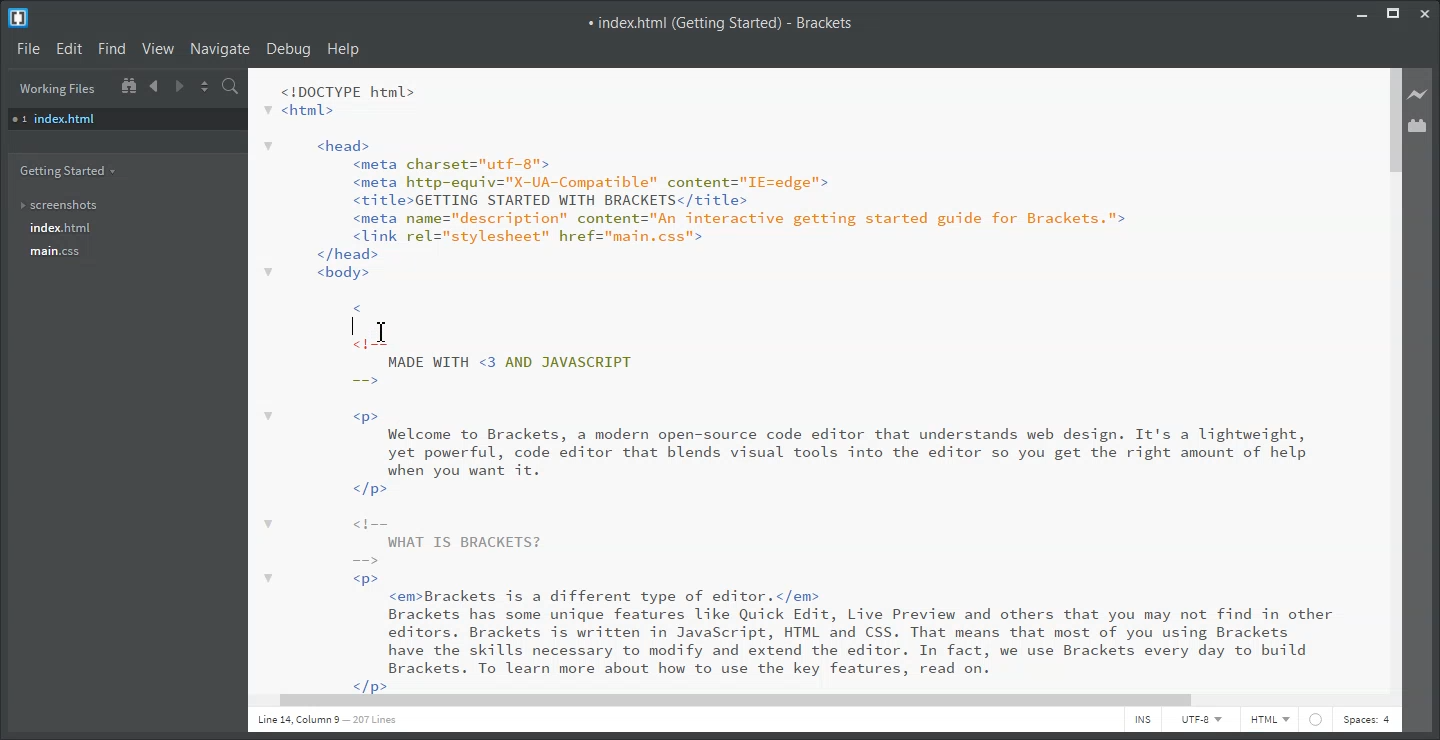 The width and height of the screenshot is (1440, 740). I want to click on Text Cursor, so click(351, 325).